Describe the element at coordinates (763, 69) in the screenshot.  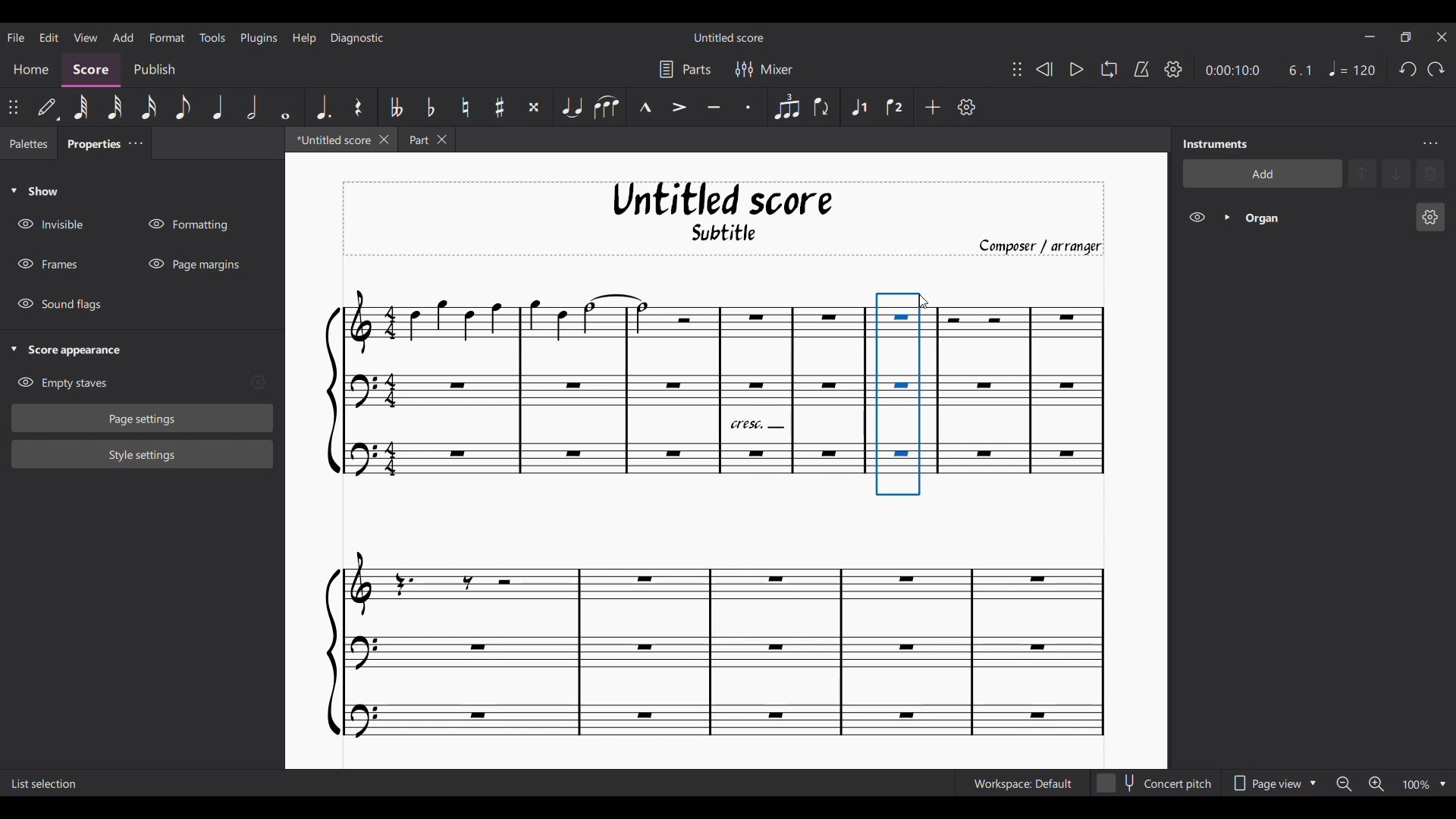
I see `Mixer settings` at that location.